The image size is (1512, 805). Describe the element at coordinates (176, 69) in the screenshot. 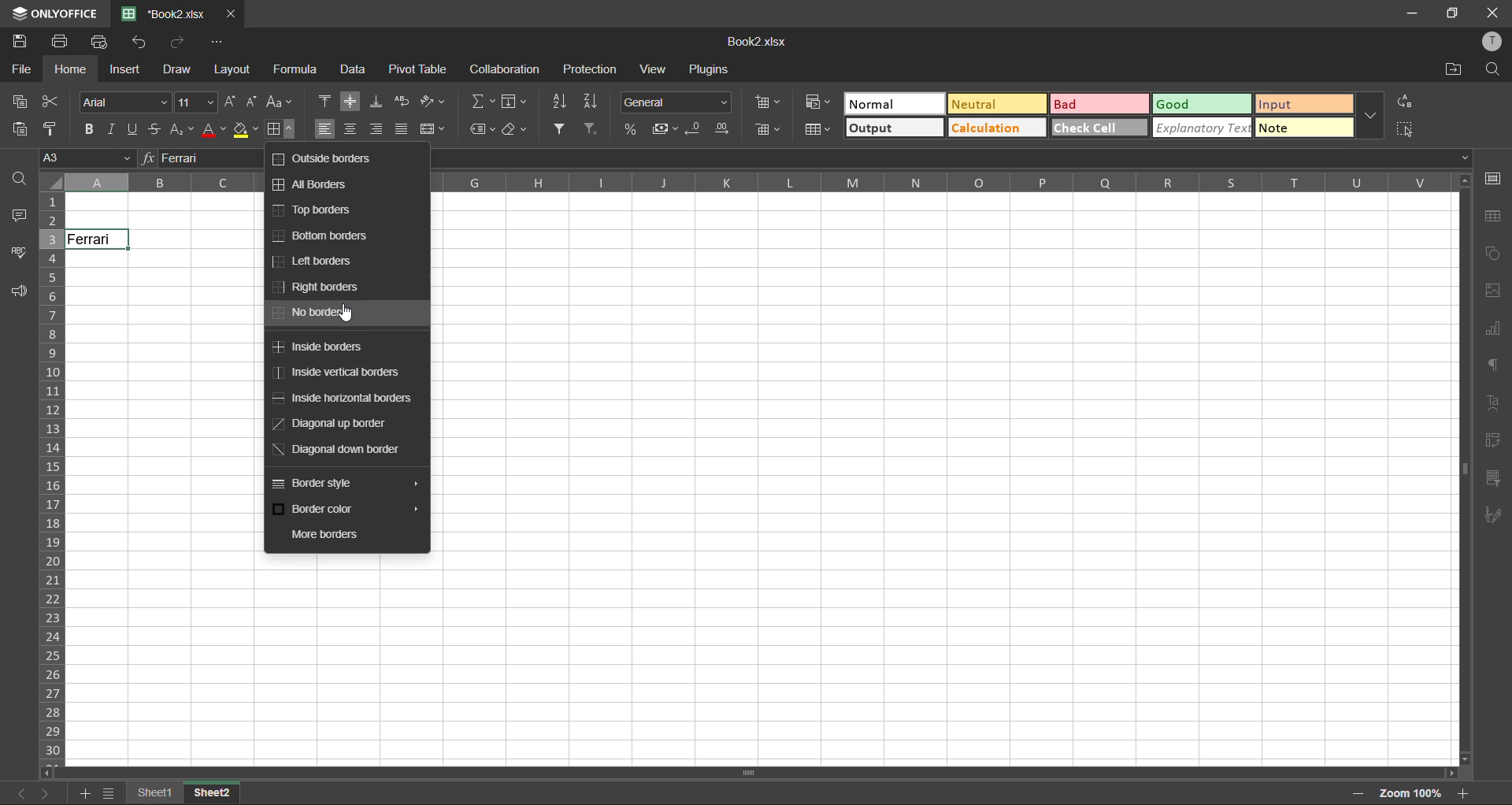

I see `draw` at that location.